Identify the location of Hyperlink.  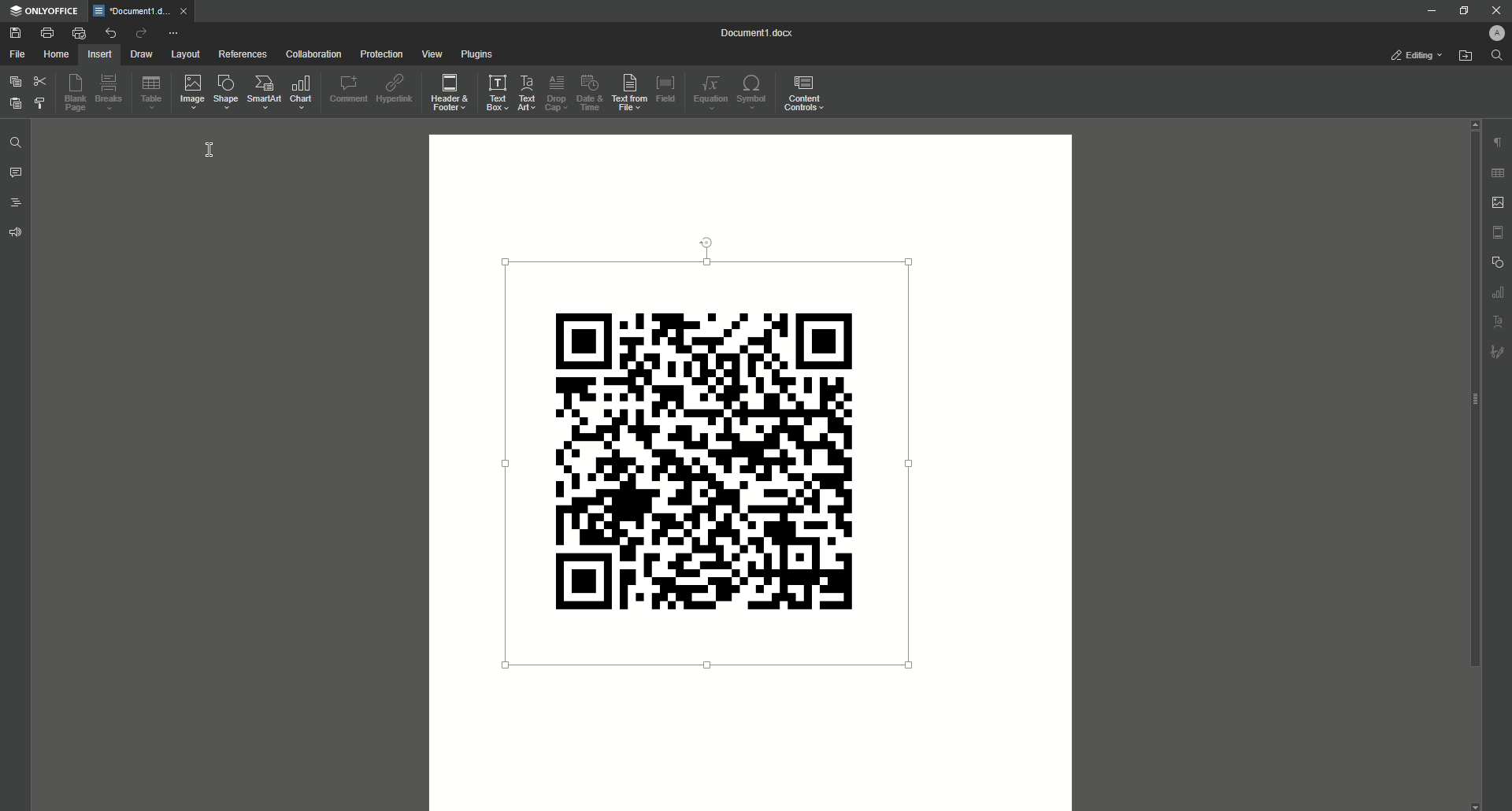
(395, 91).